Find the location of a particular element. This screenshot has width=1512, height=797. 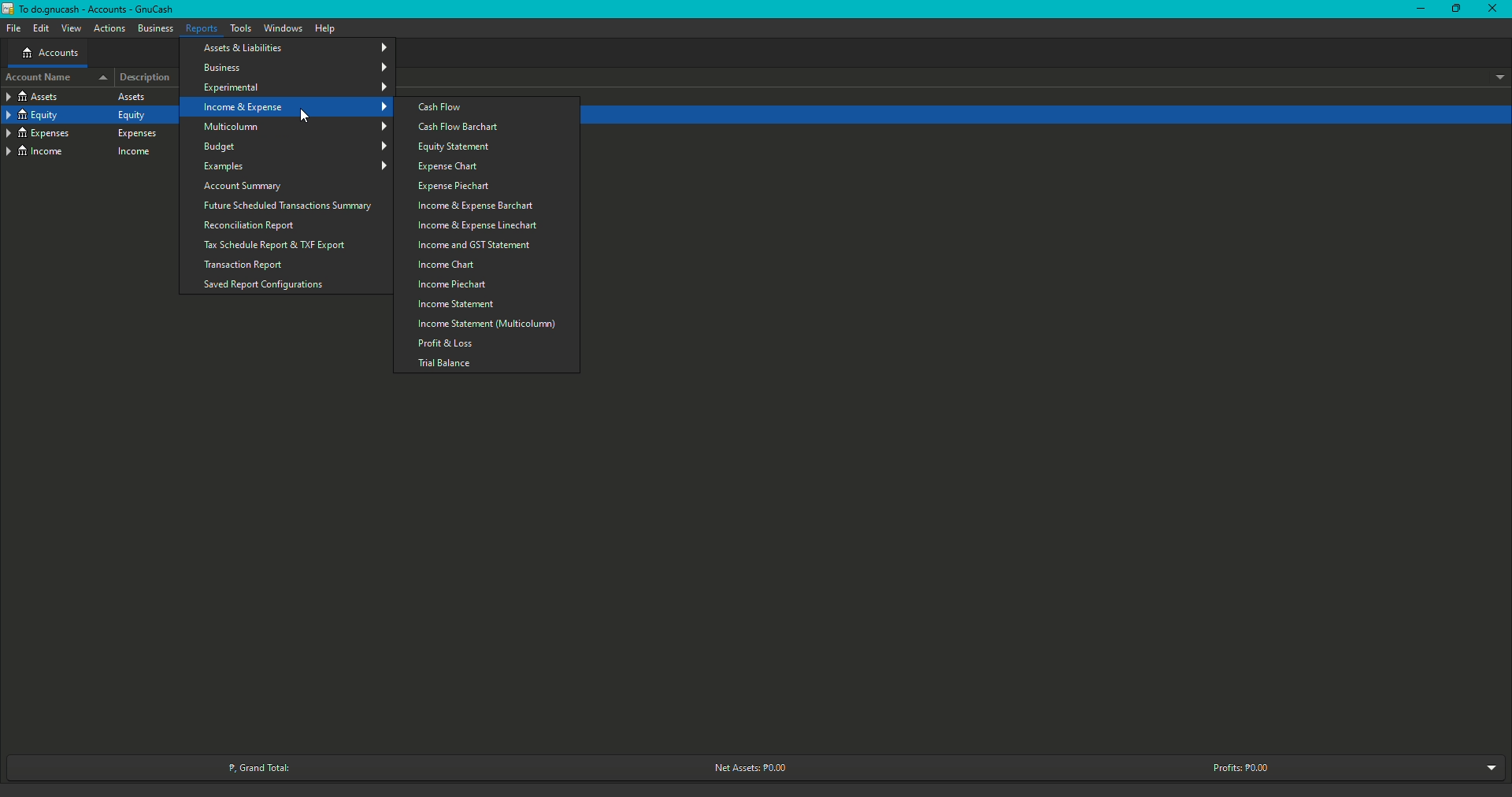

Cash Flow is located at coordinates (441, 106).